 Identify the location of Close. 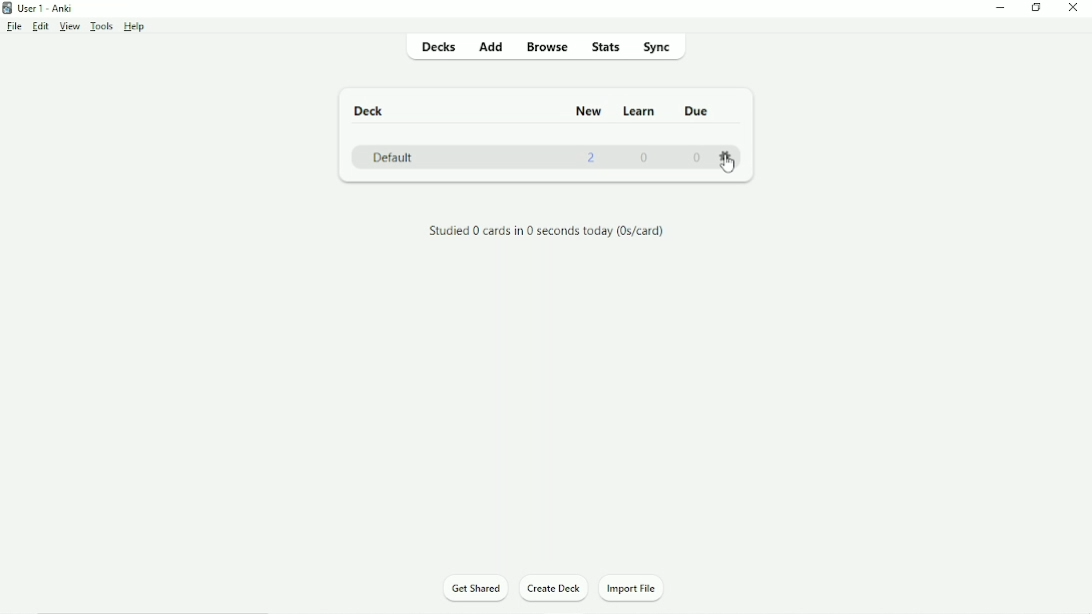
(1072, 9).